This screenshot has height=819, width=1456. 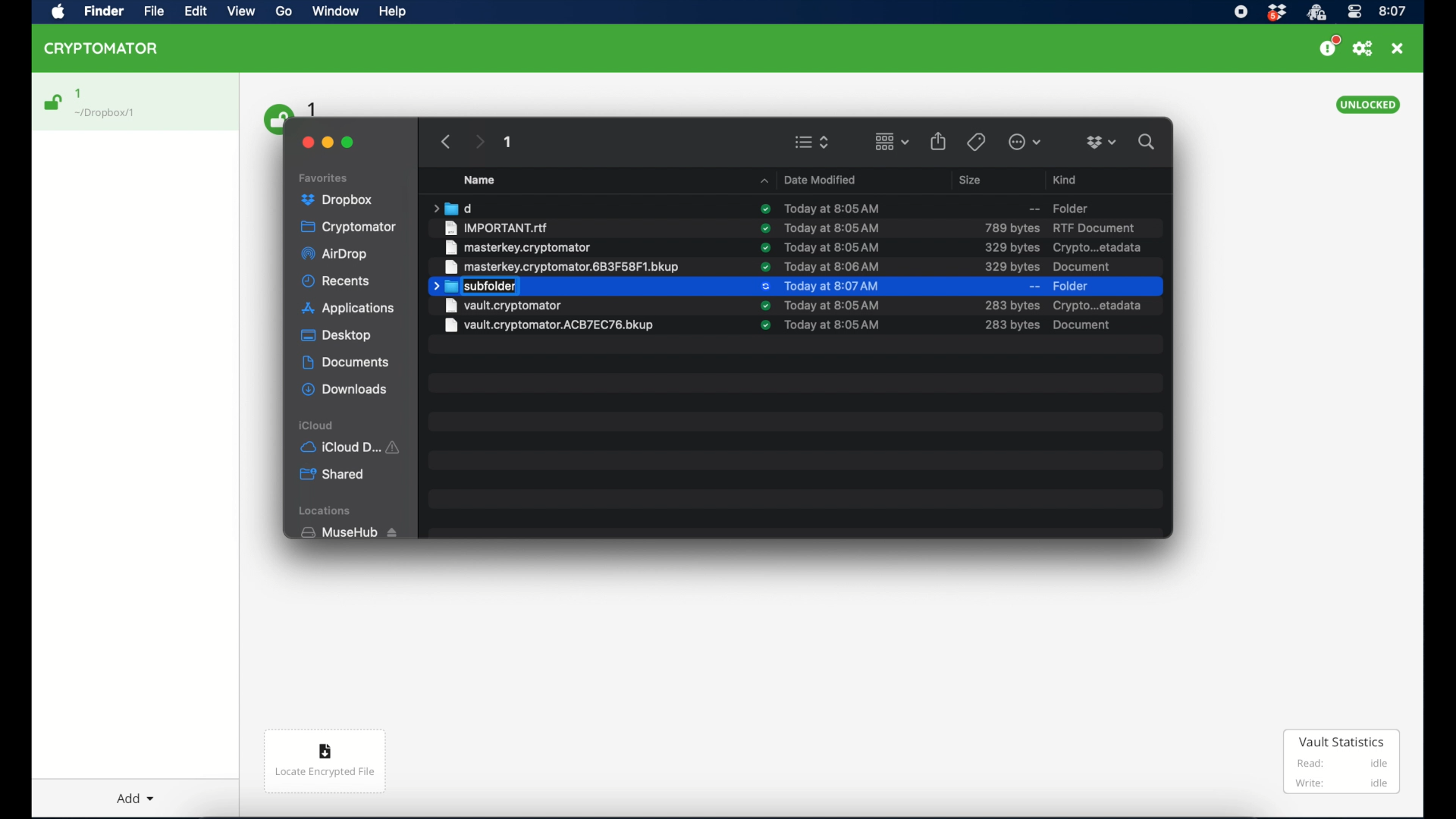 I want to click on Folder, so click(x=1058, y=206).